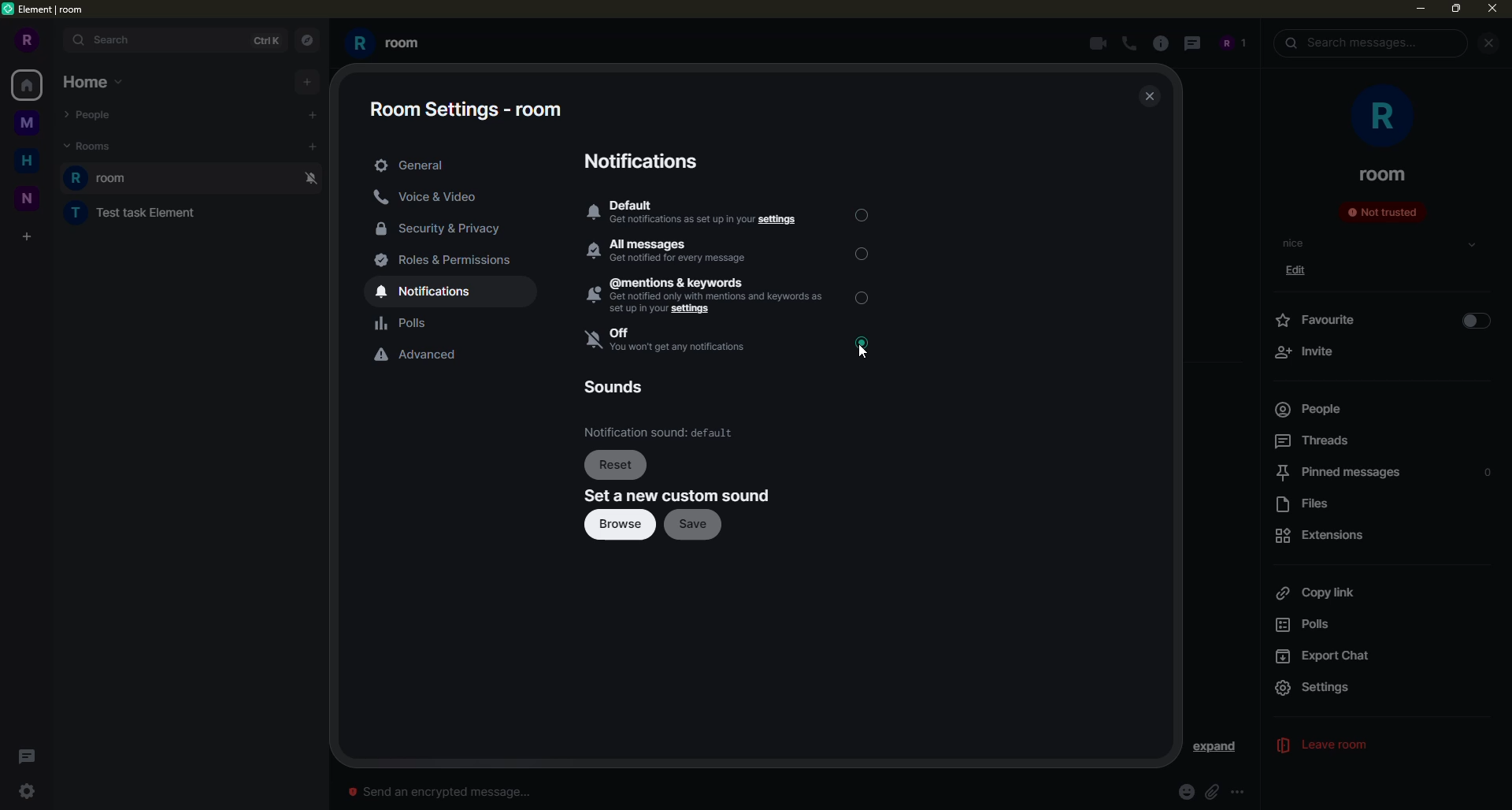 The width and height of the screenshot is (1512, 810). What do you see at coordinates (169, 177) in the screenshot?
I see `room R` at bounding box center [169, 177].